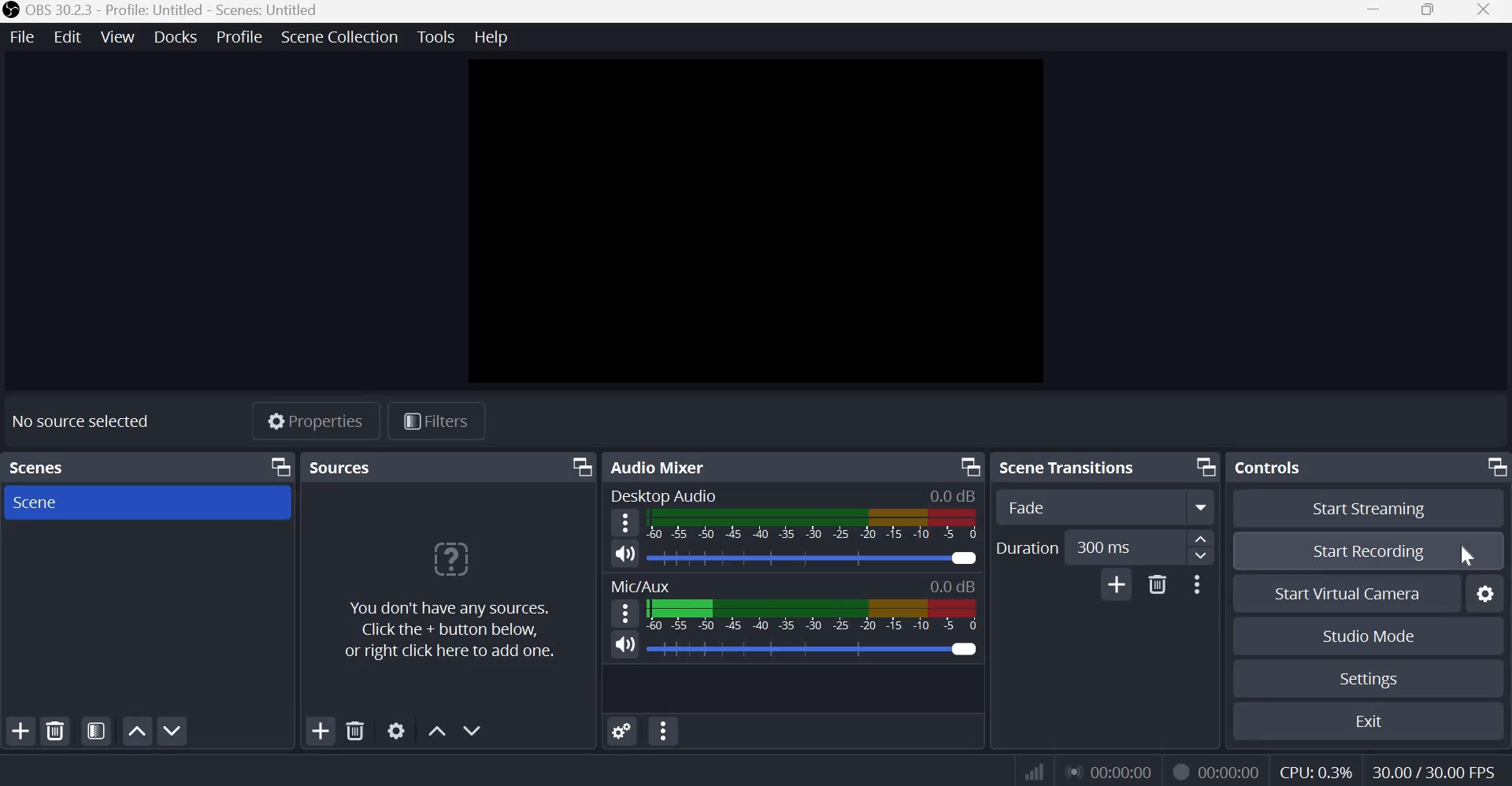  I want to click on Hamburger icon, so click(626, 613).